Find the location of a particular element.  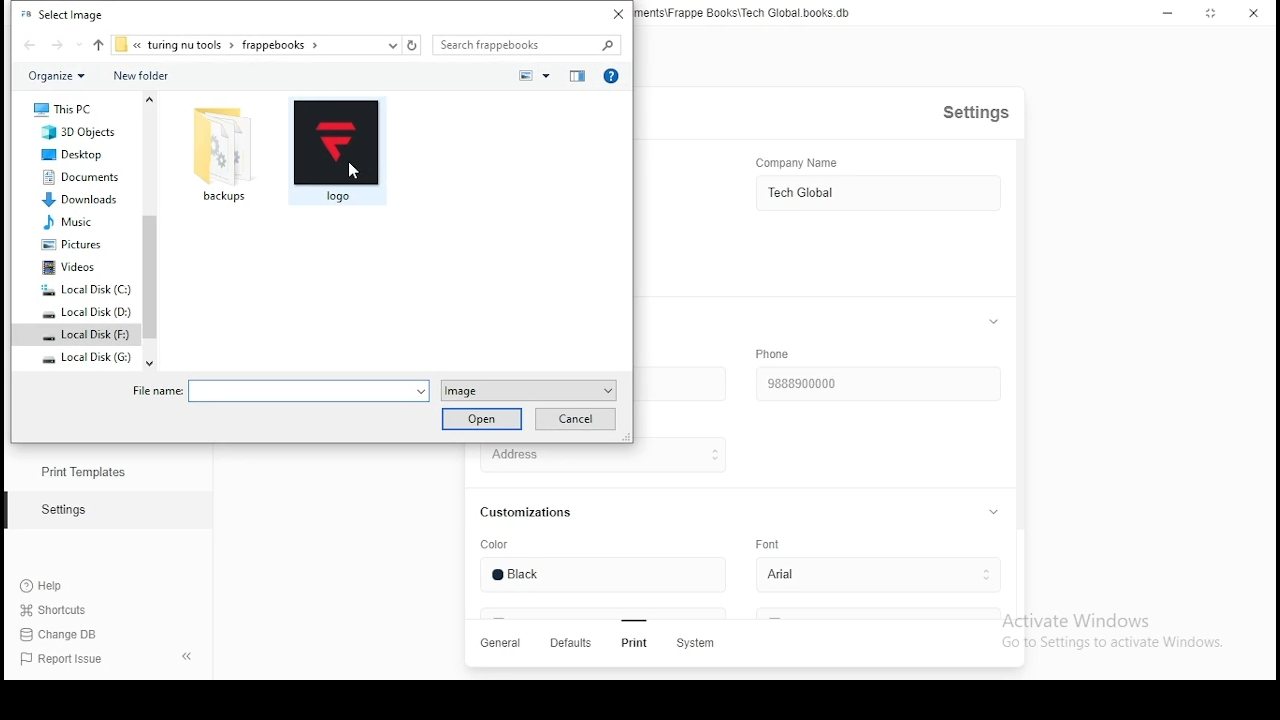

backups  is located at coordinates (224, 162).